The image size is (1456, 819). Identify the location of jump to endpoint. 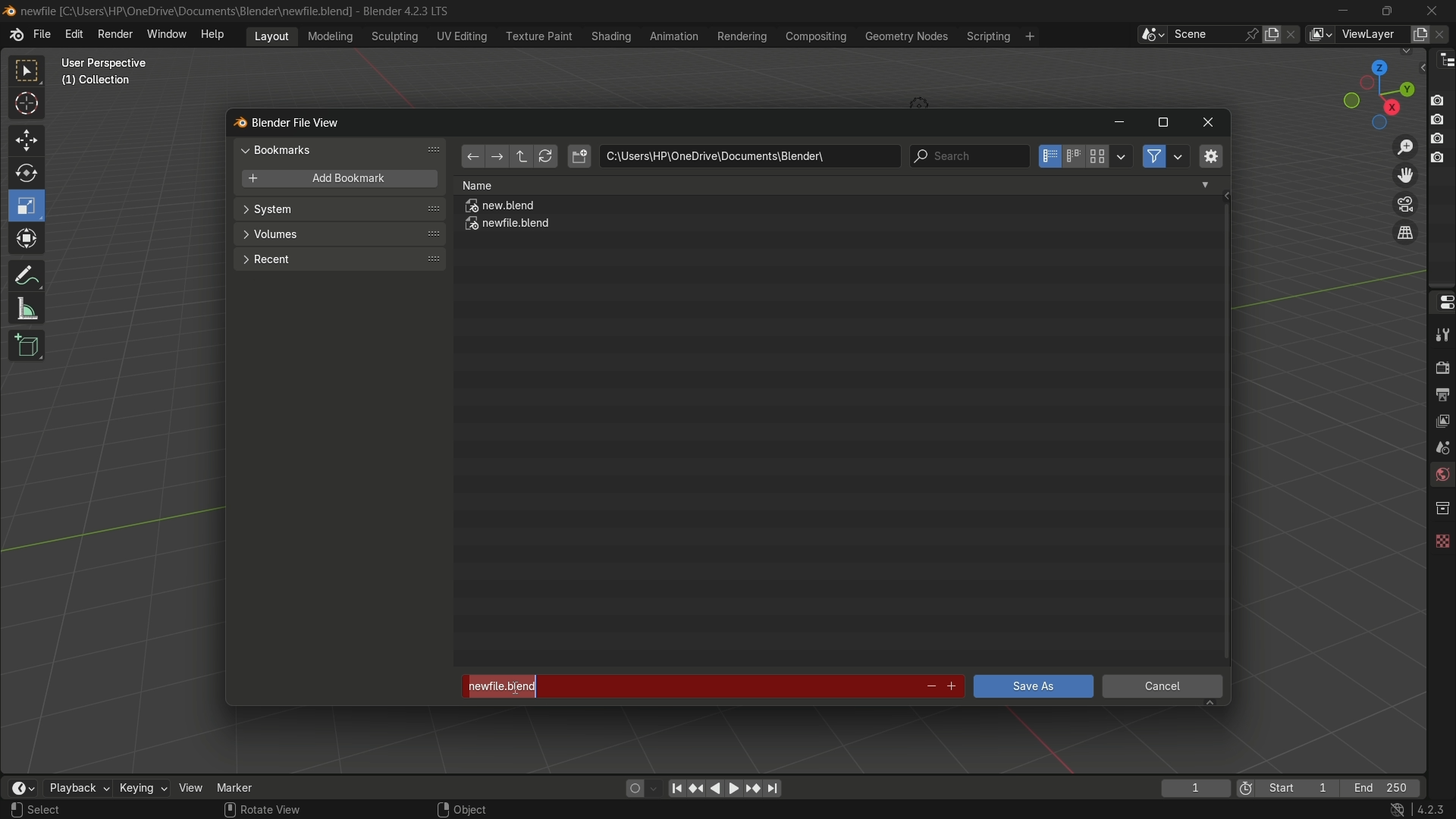
(773, 789).